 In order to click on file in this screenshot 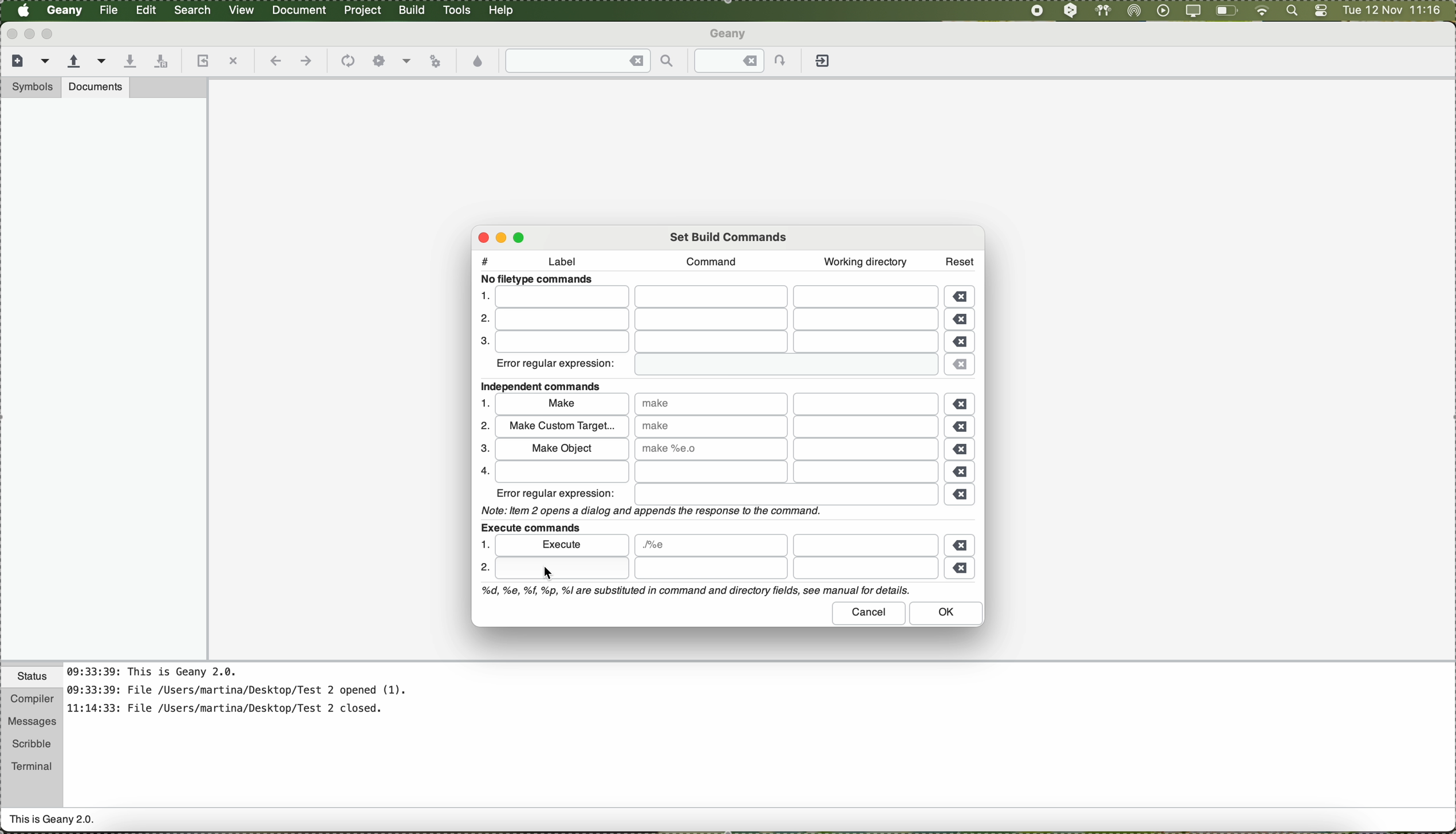, I will do `click(110, 10)`.